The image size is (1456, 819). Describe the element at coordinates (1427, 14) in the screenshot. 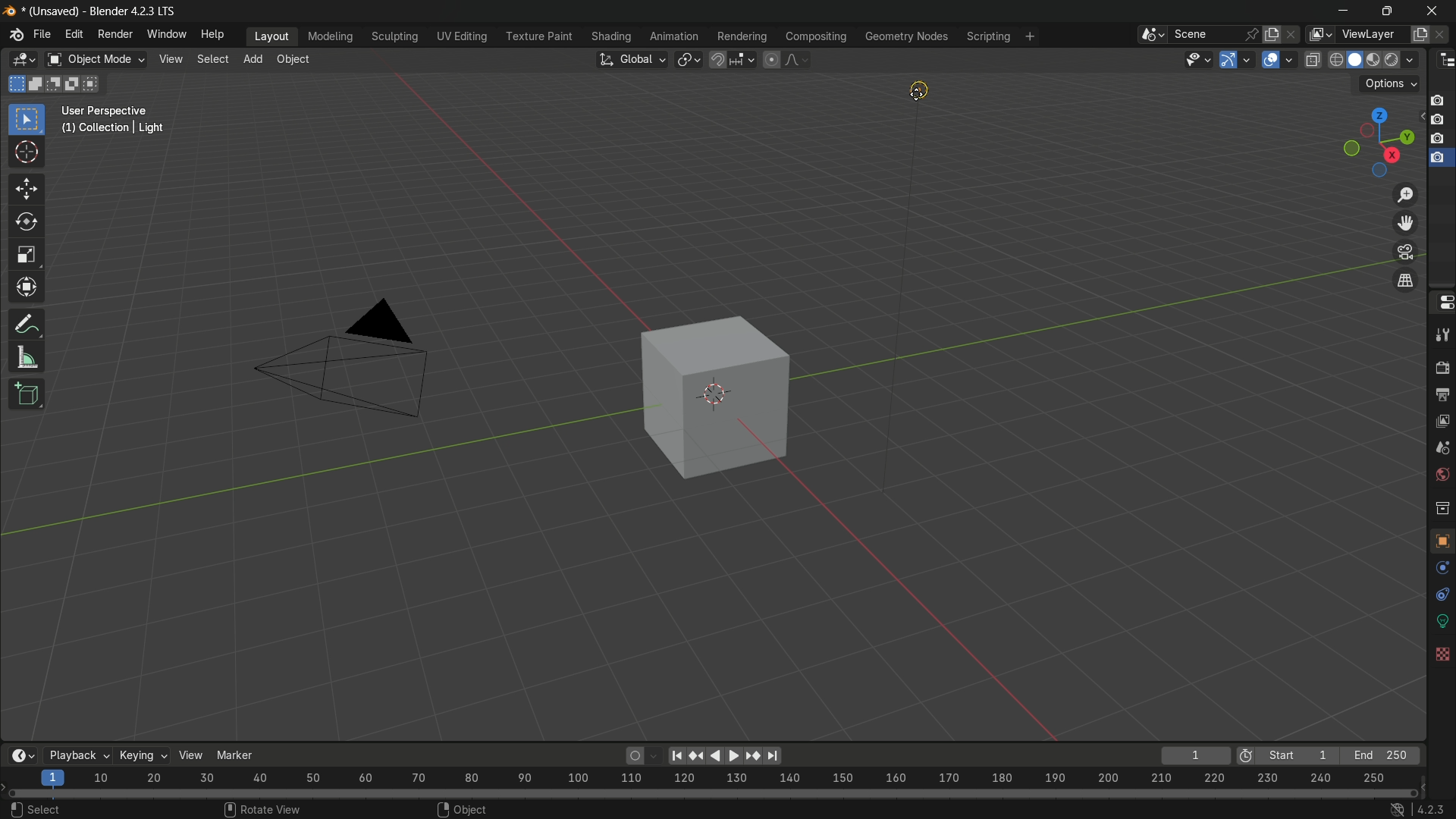

I see `close app` at that location.